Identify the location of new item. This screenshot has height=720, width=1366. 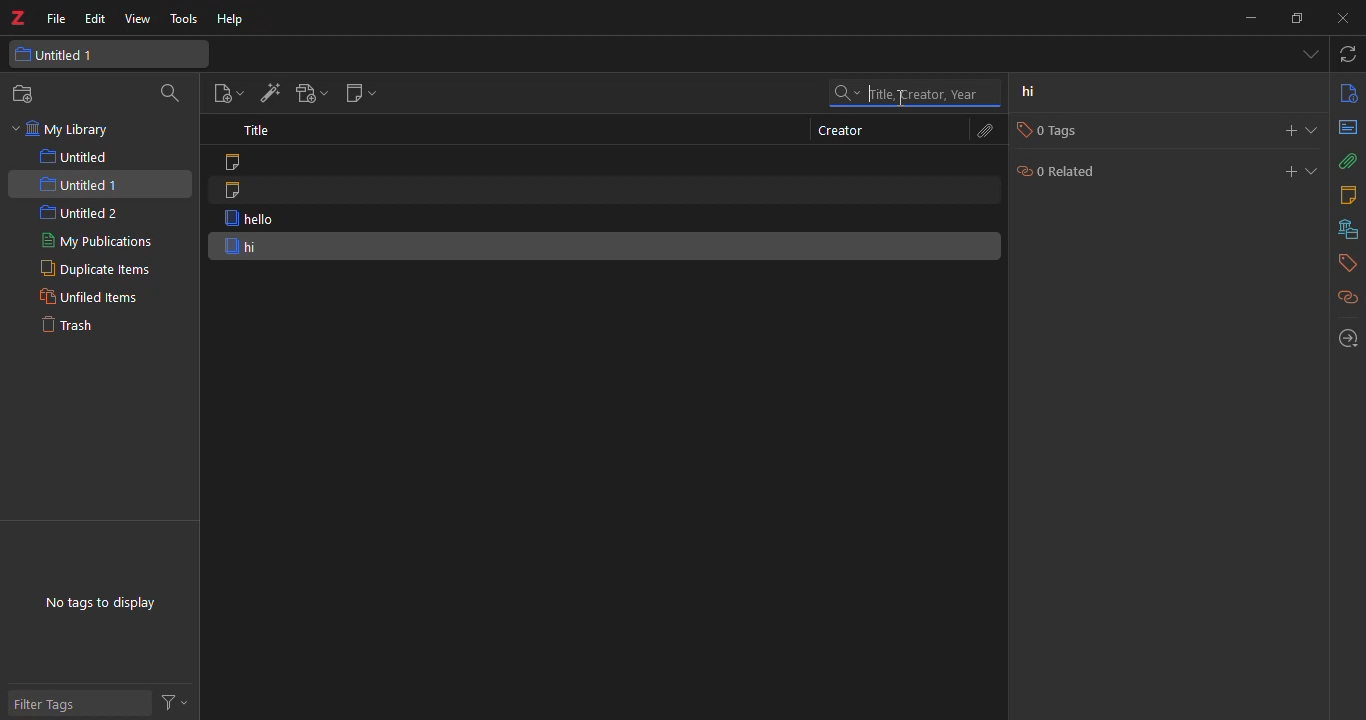
(225, 95).